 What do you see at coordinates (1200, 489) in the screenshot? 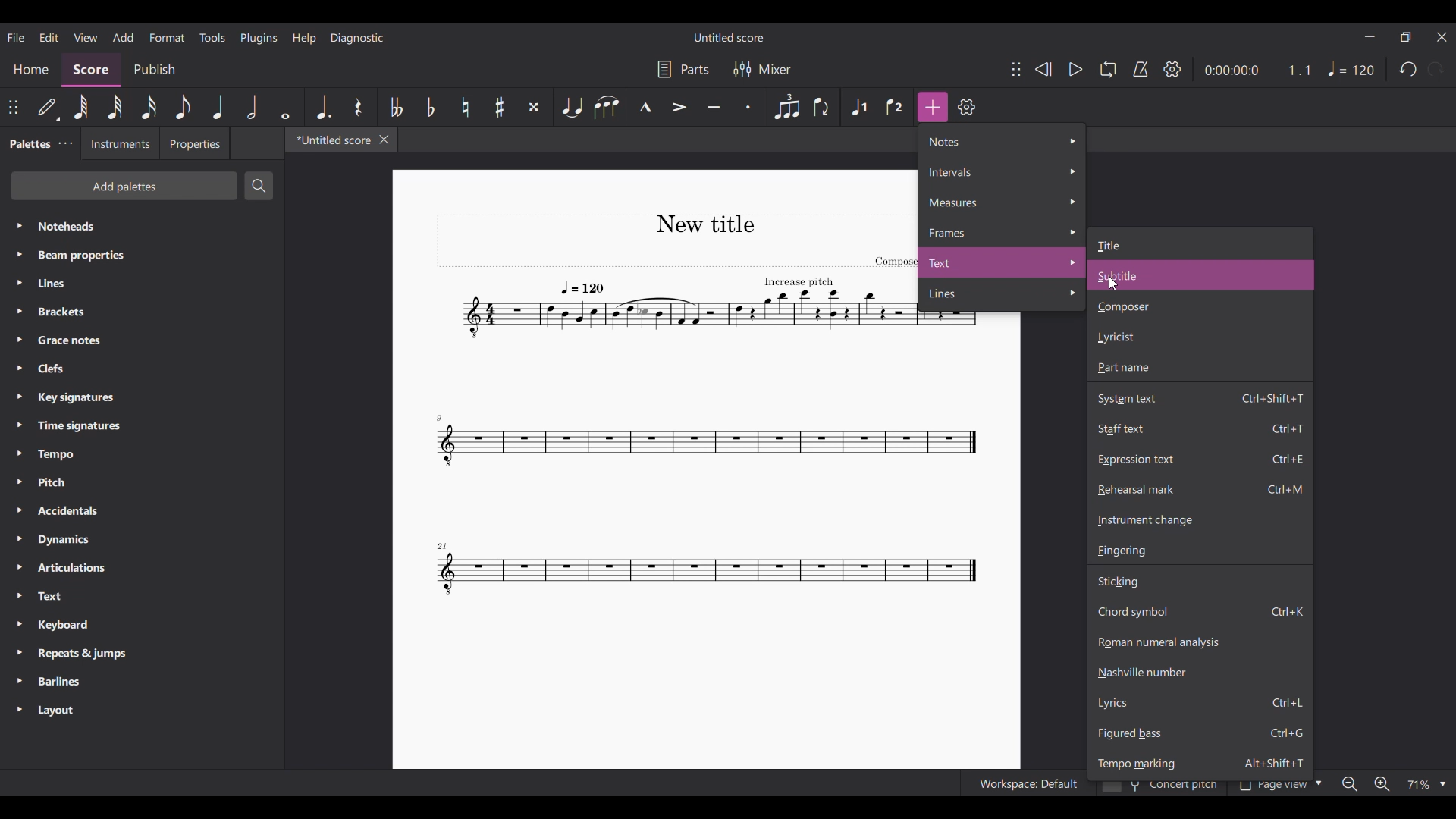
I see `Rehearsal mark` at bounding box center [1200, 489].